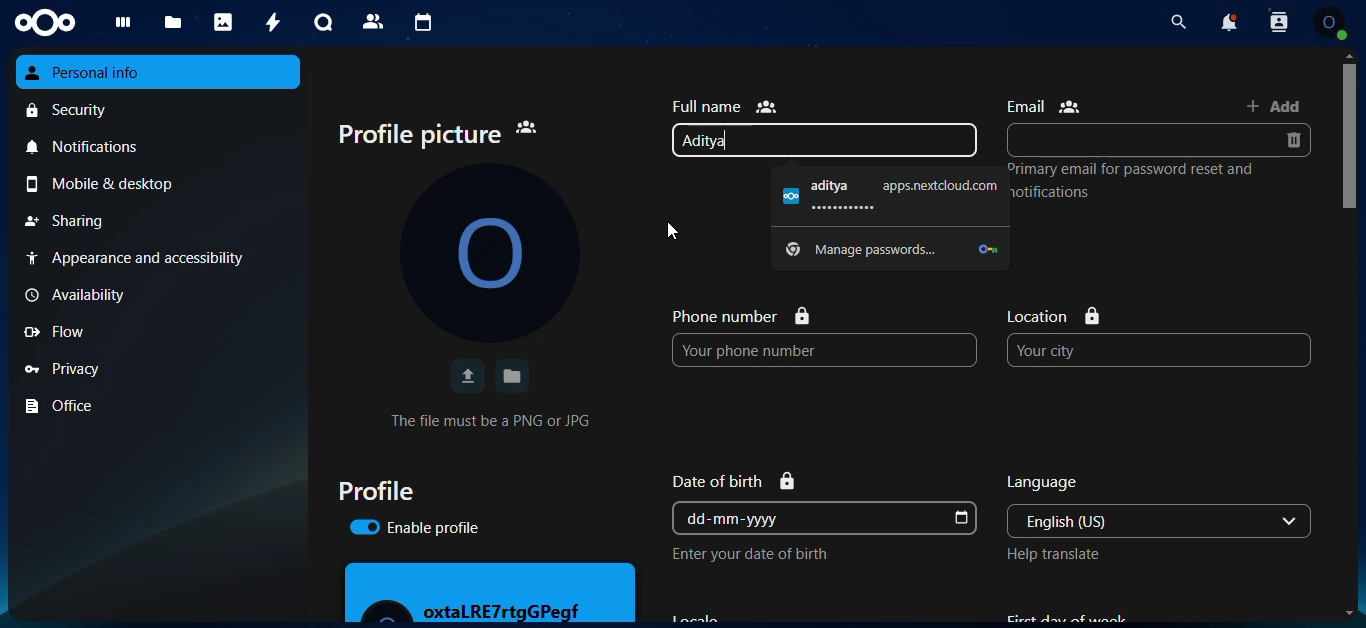  What do you see at coordinates (809, 518) in the screenshot?
I see `dd-mm-yyyy` at bounding box center [809, 518].